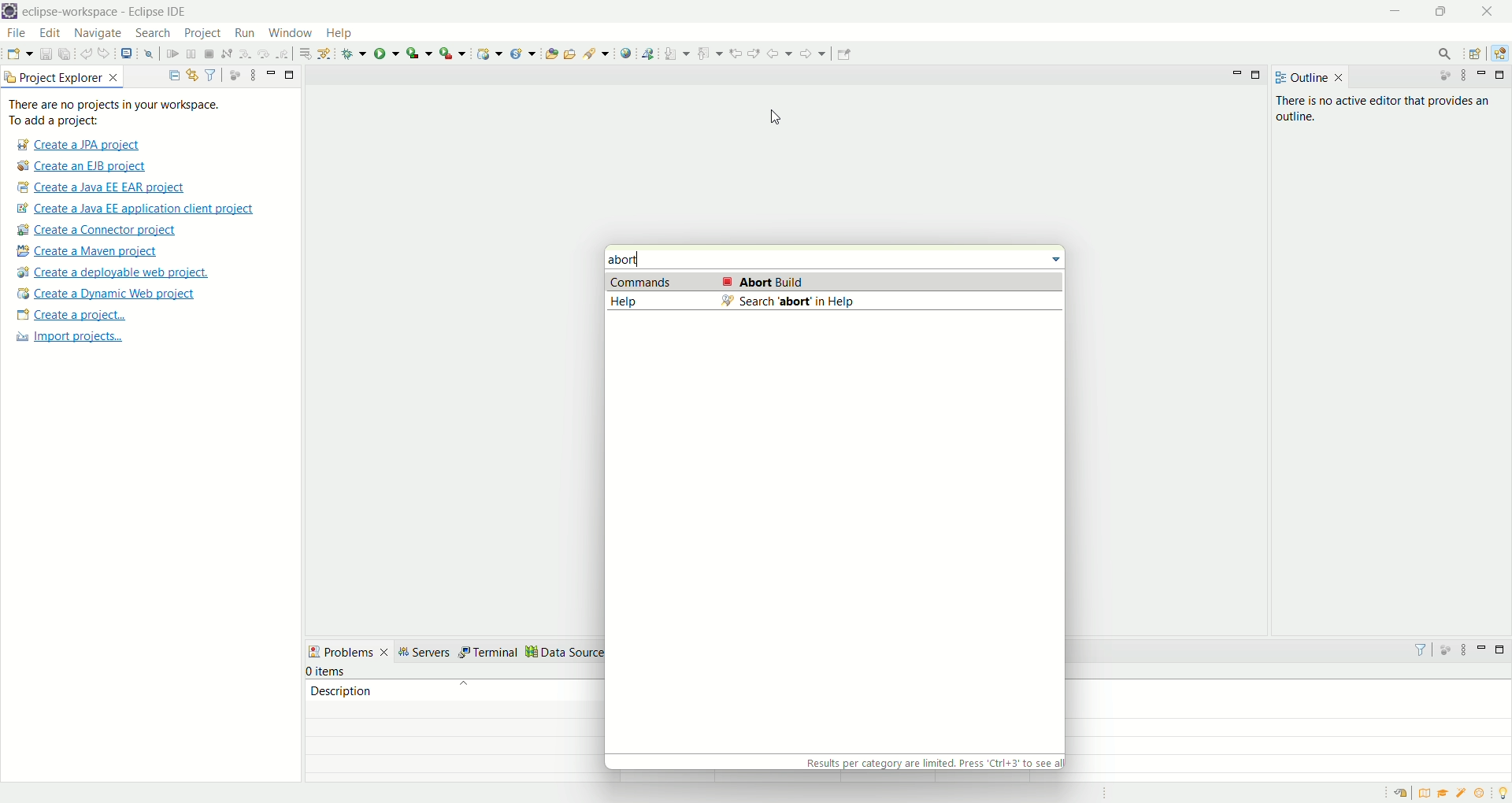 The height and width of the screenshot is (803, 1512). Describe the element at coordinates (733, 54) in the screenshot. I see `previous edit location` at that location.